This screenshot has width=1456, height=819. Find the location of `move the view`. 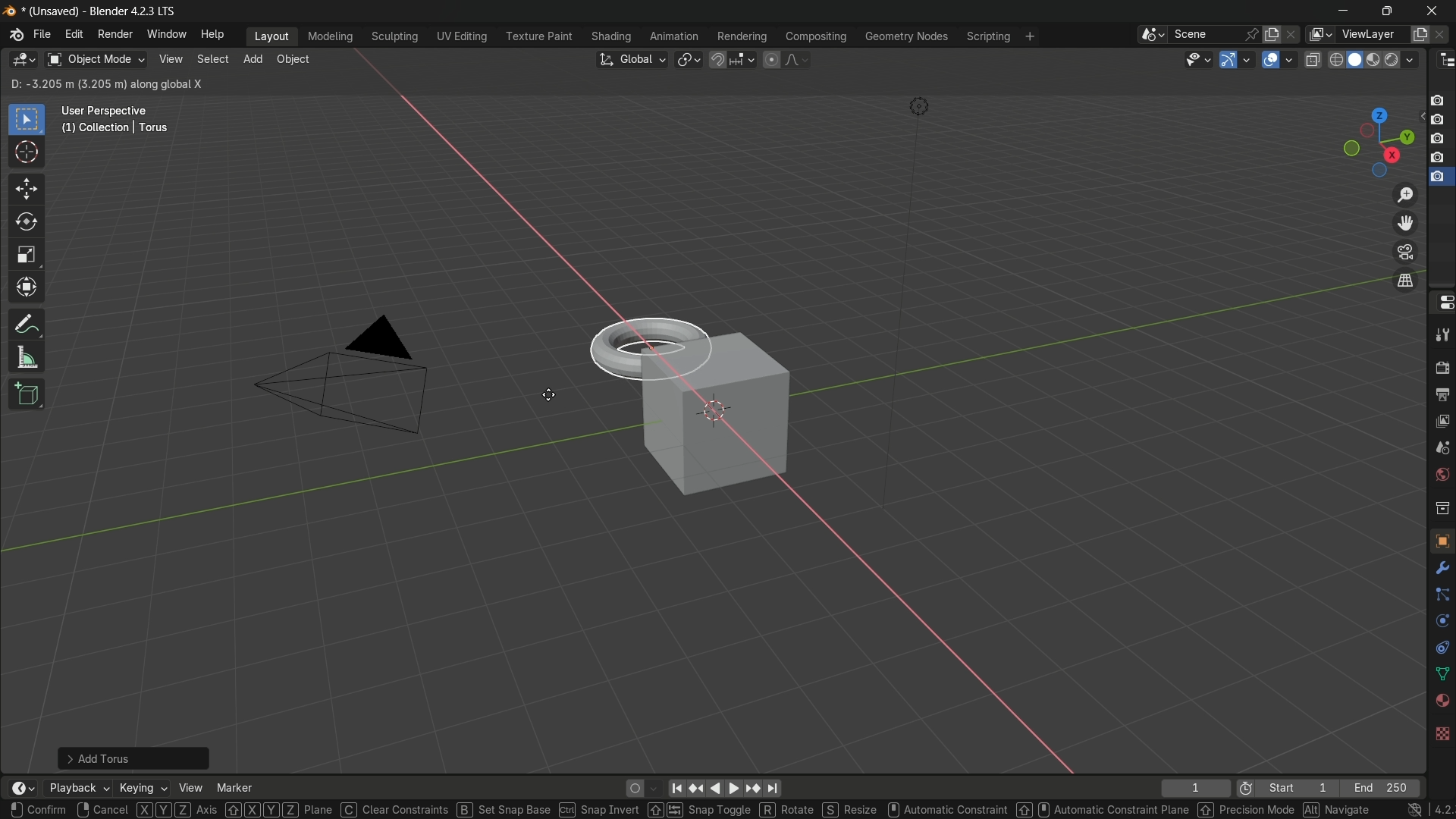

move the view is located at coordinates (1404, 224).